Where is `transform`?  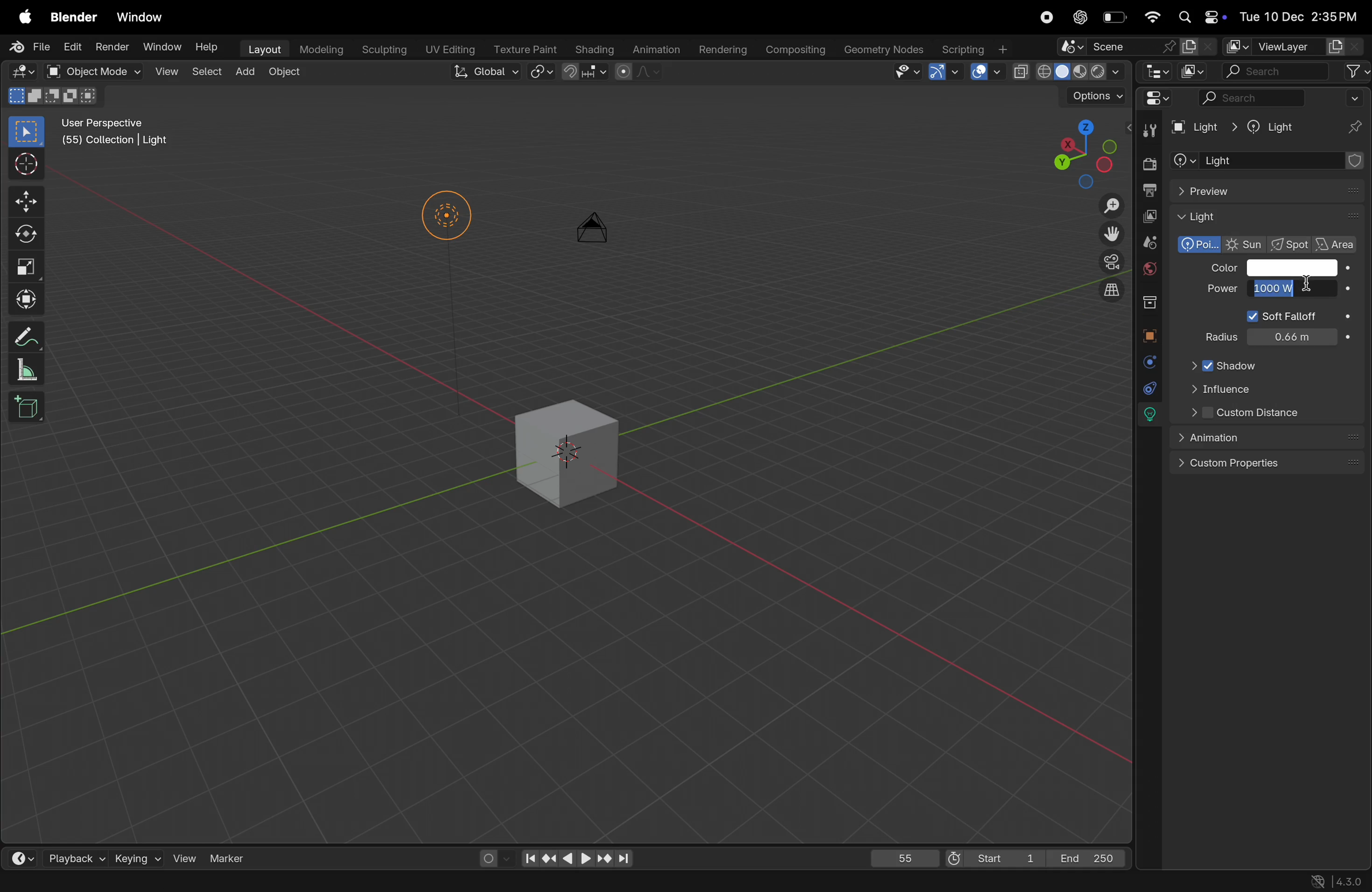
transform is located at coordinates (28, 302).